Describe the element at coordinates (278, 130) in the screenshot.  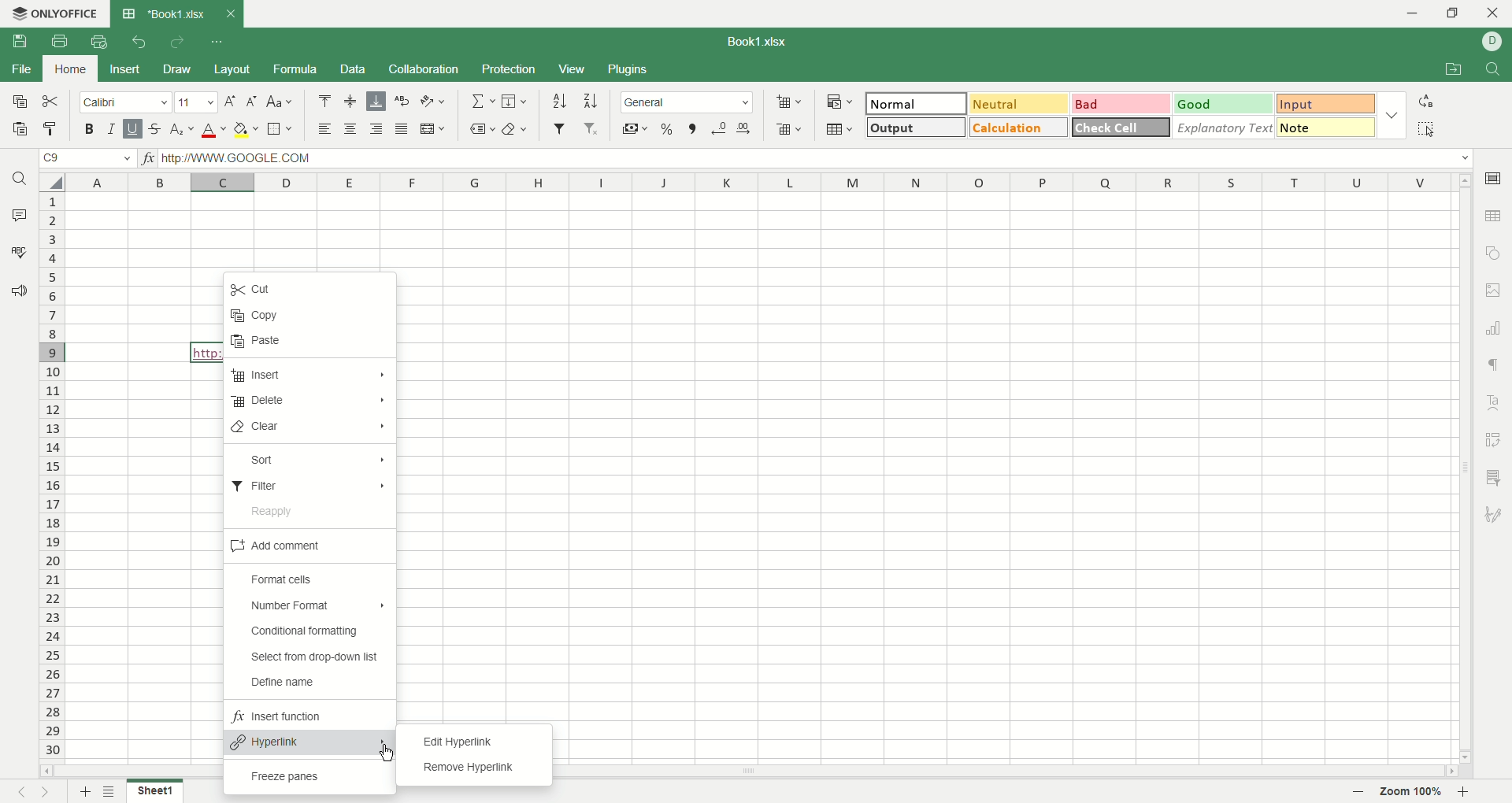
I see `border` at that location.